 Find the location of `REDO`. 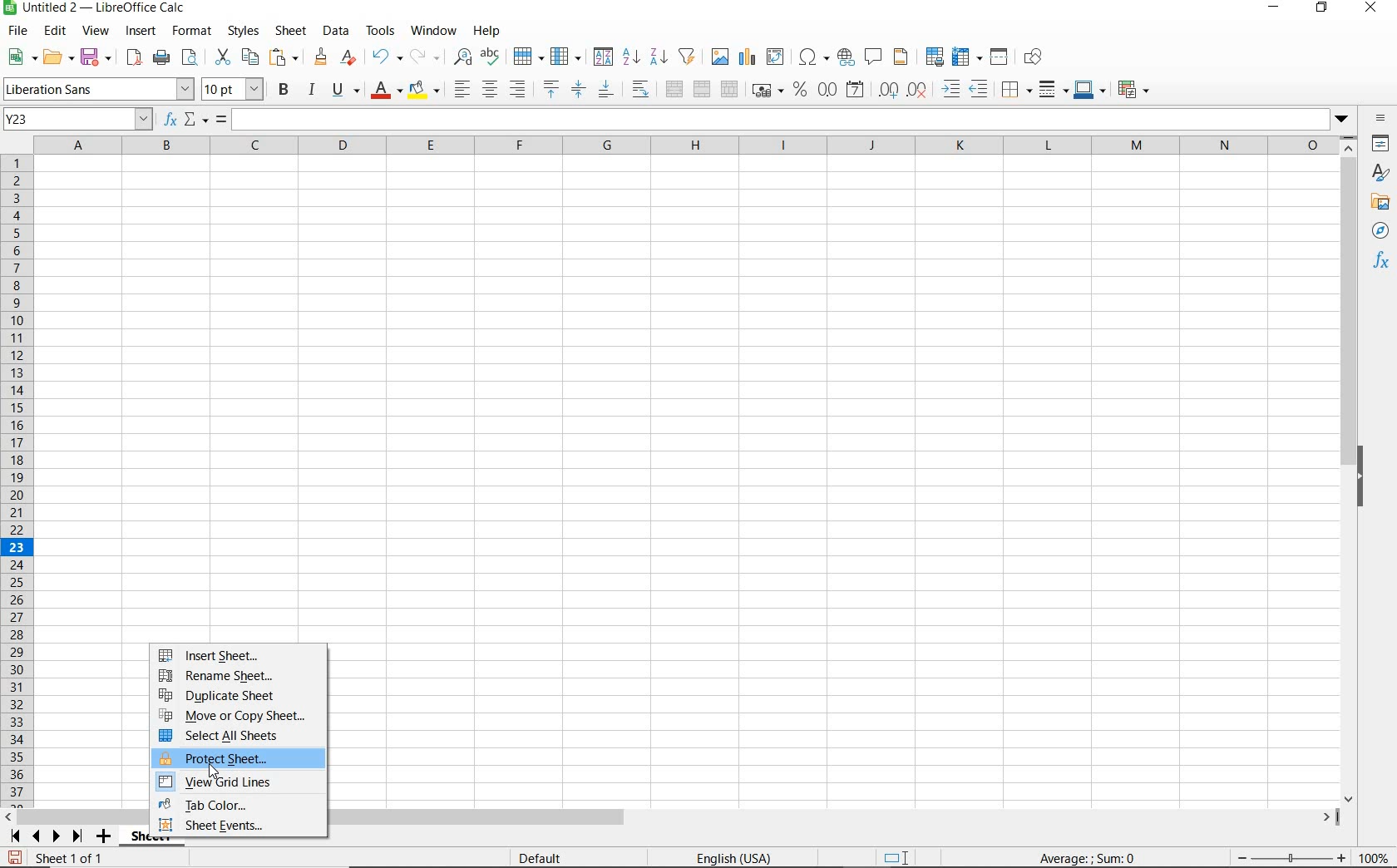

REDO is located at coordinates (423, 55).